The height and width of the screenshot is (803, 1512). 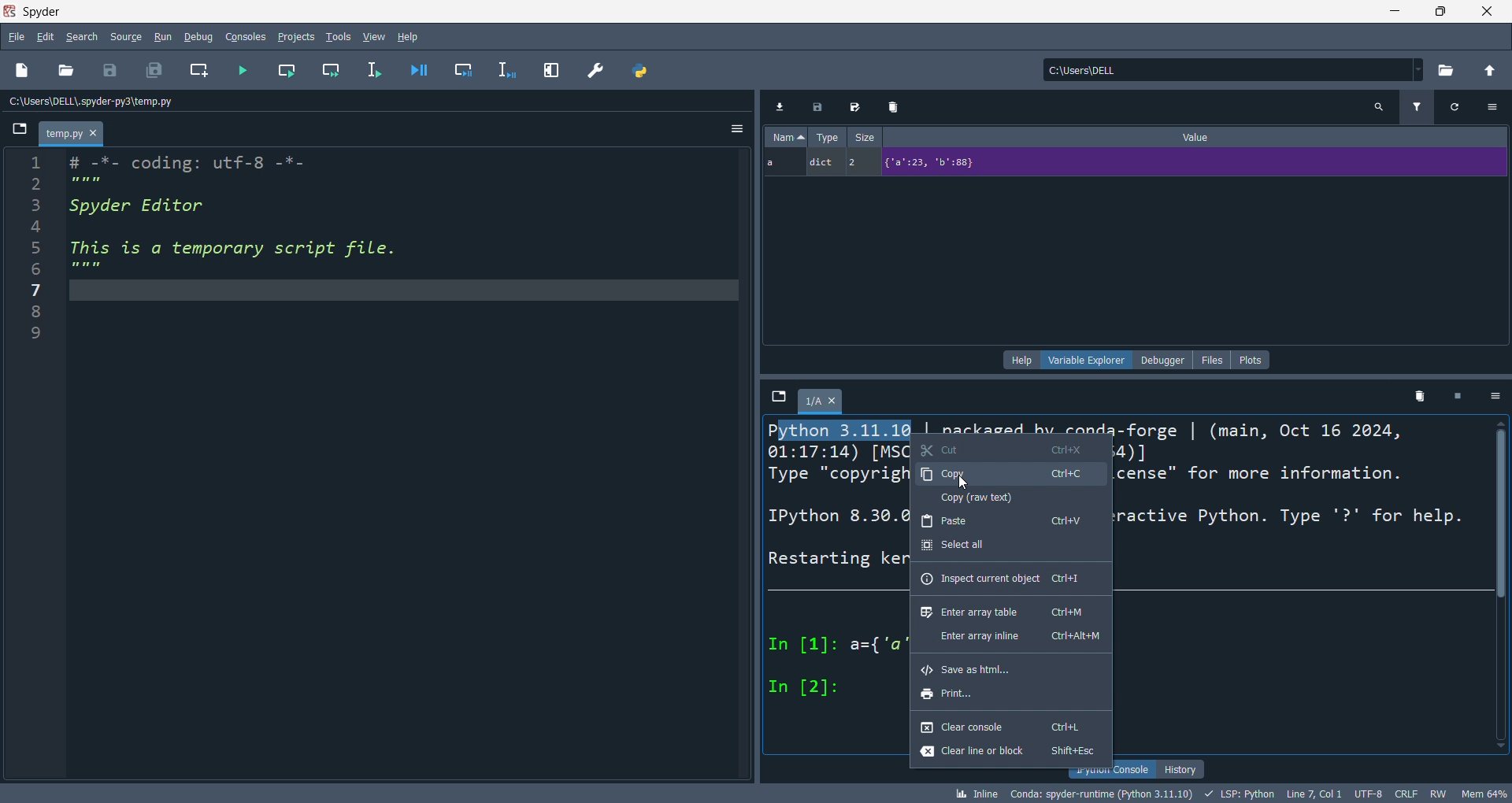 What do you see at coordinates (1009, 446) in the screenshot?
I see `cut` at bounding box center [1009, 446].